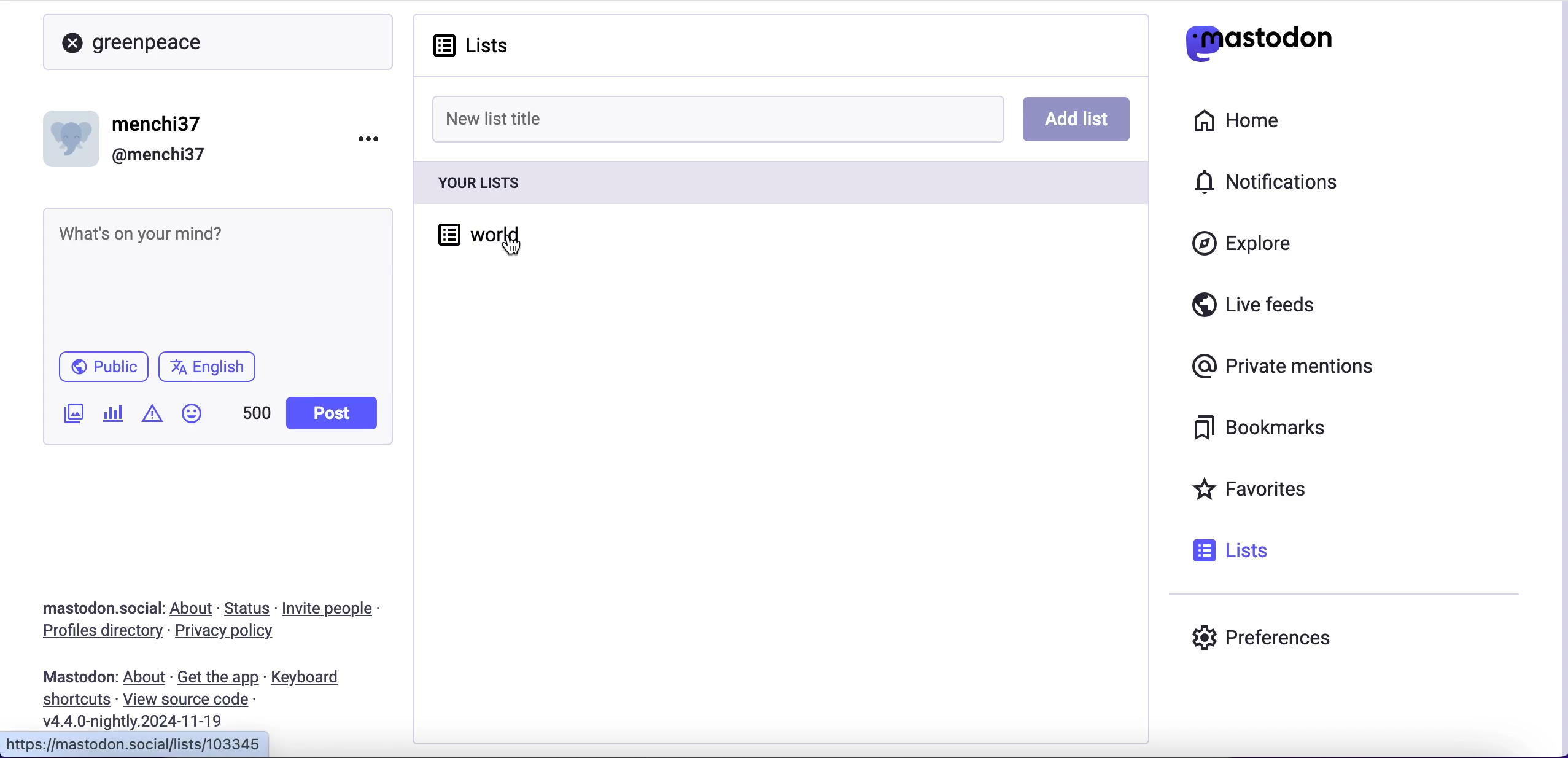 The height and width of the screenshot is (758, 1568). Describe the element at coordinates (472, 44) in the screenshot. I see `lists` at that location.